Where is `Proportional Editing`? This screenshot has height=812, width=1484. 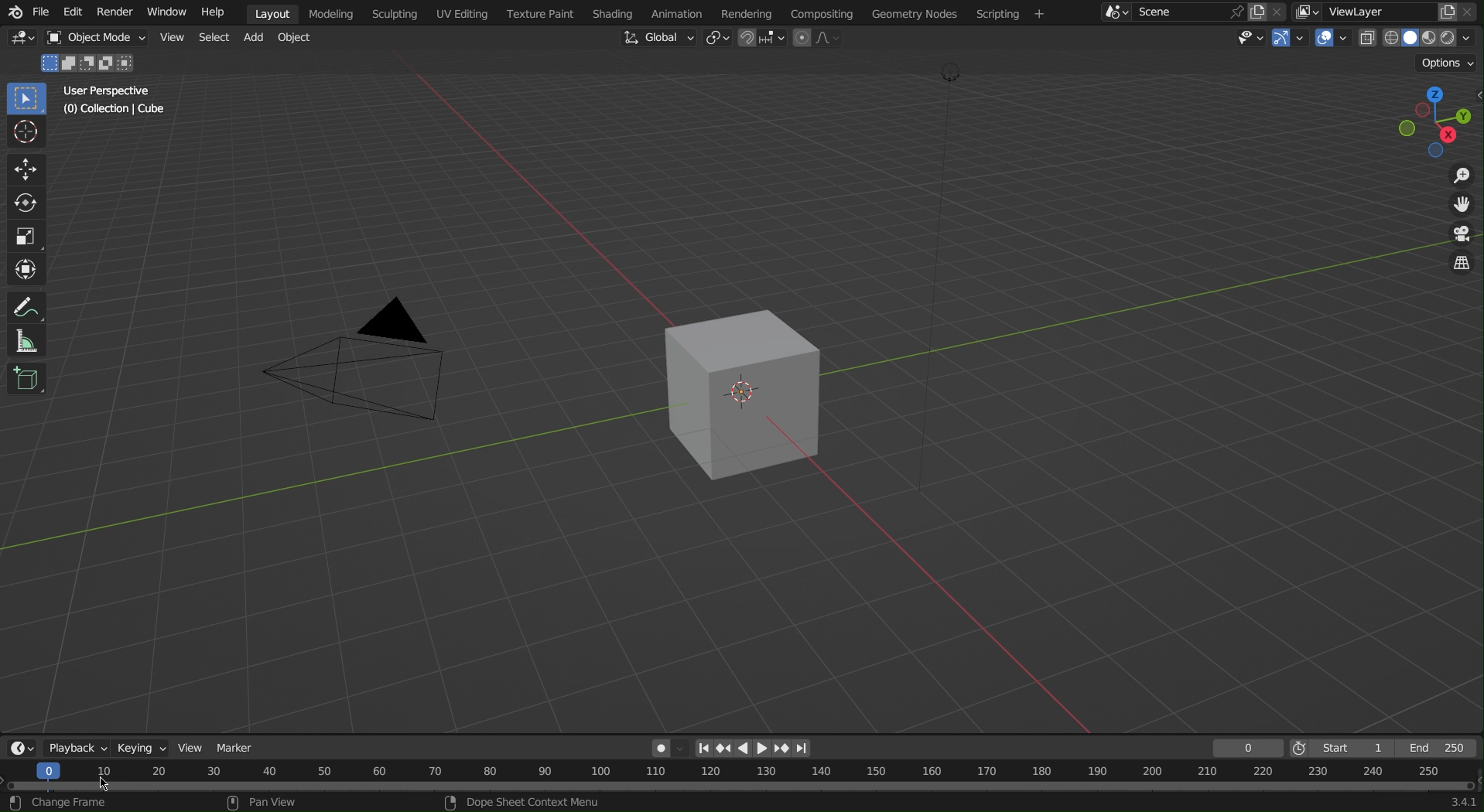 Proportional Editing is located at coordinates (813, 41).